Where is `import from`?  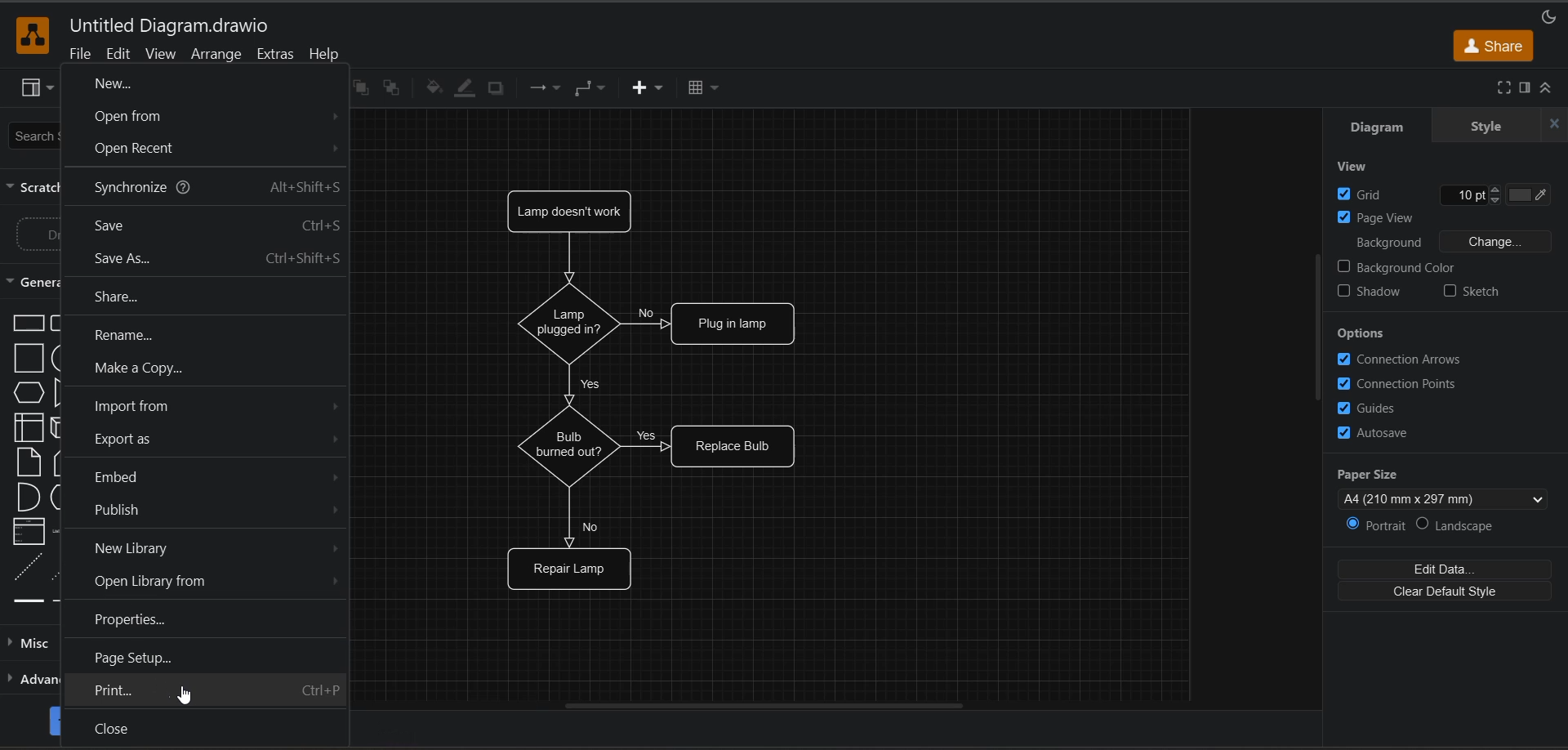 import from is located at coordinates (218, 405).